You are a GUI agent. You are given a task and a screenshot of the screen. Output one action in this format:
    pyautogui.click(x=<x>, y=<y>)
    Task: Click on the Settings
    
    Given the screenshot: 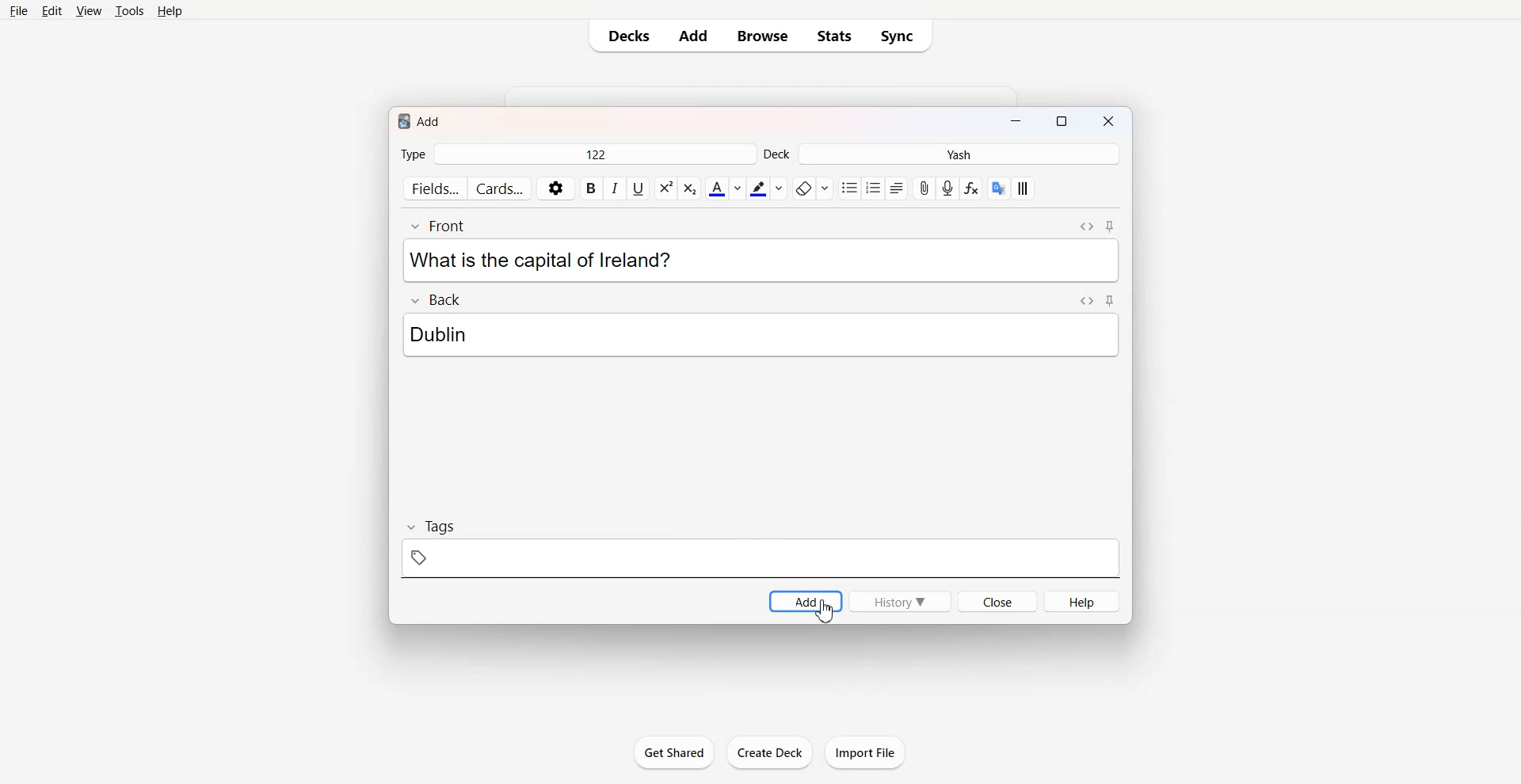 What is the action you would take?
    pyautogui.click(x=556, y=188)
    